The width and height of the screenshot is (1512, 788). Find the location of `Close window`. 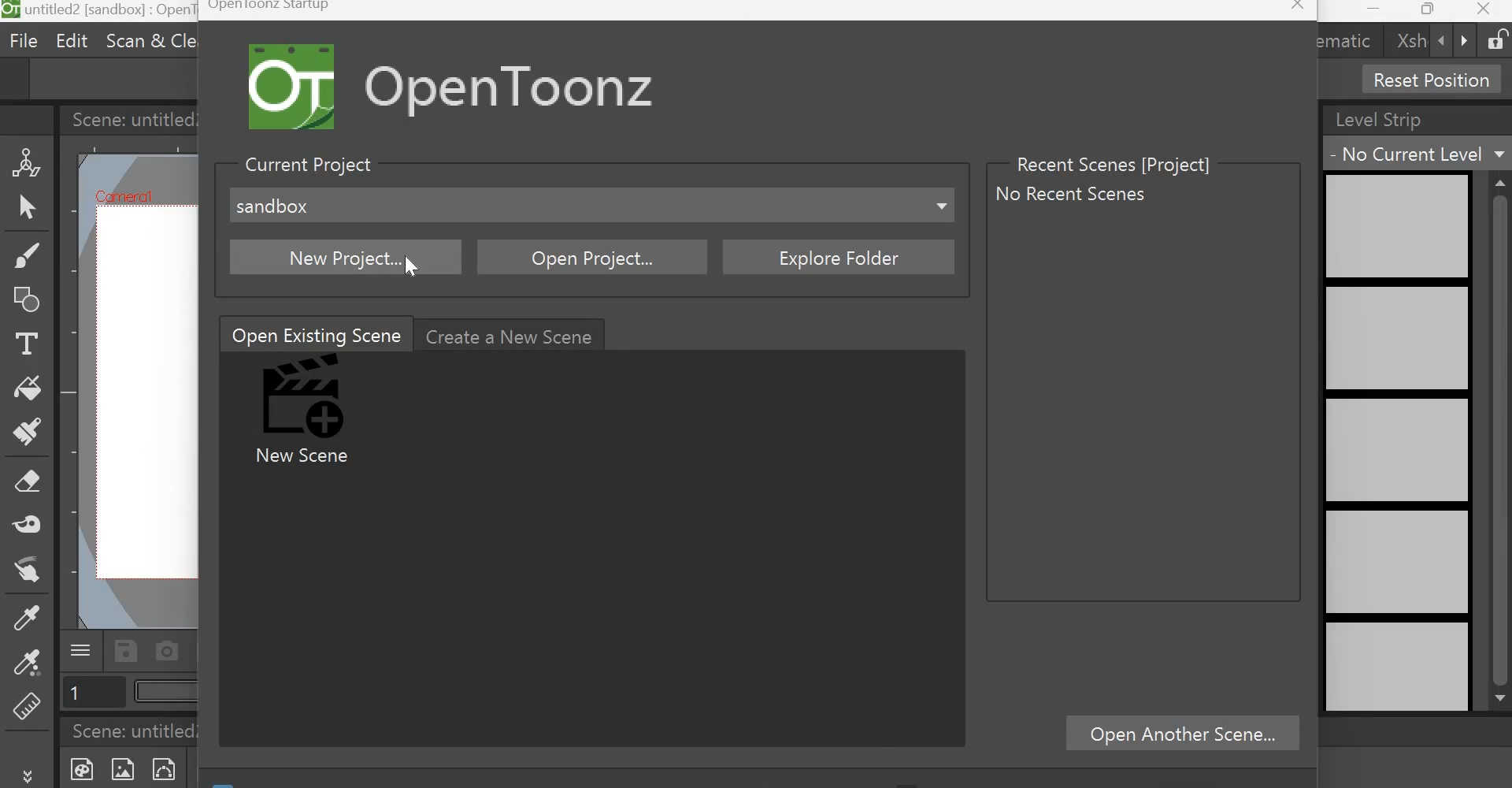

Close window is located at coordinates (1299, 11).